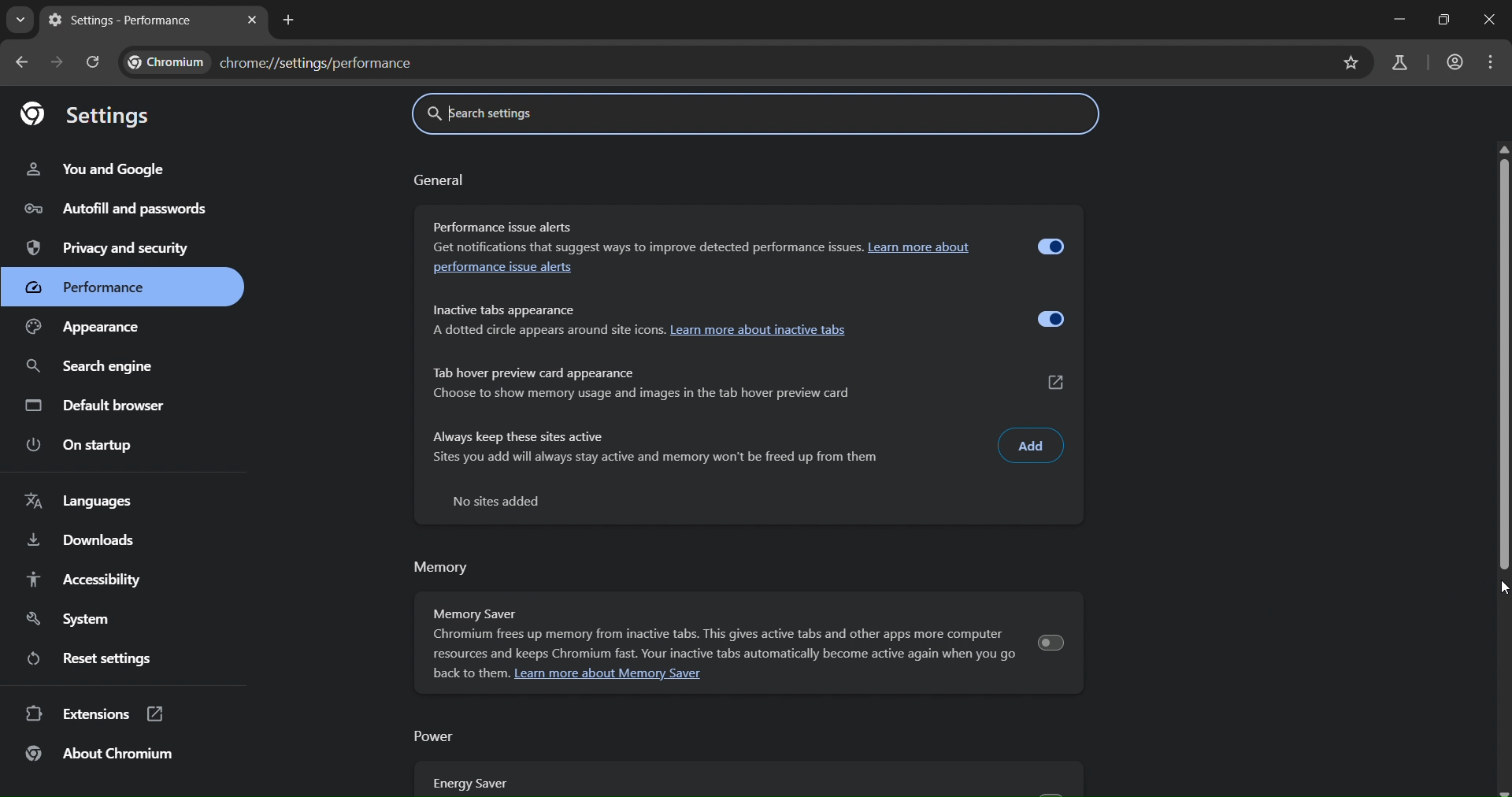 Image resolution: width=1512 pixels, height=797 pixels. Describe the element at coordinates (112, 658) in the screenshot. I see `reset settings` at that location.